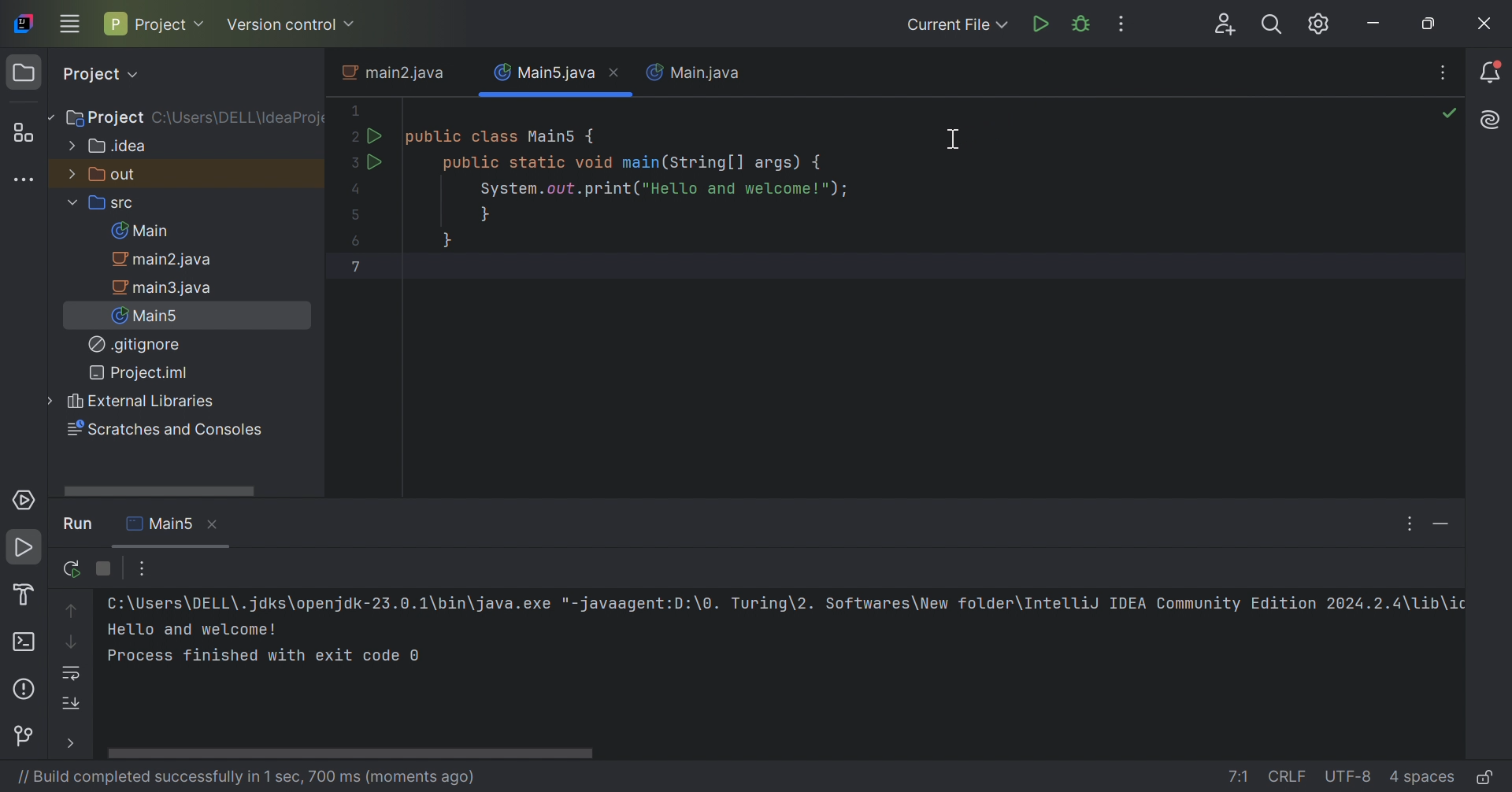 The height and width of the screenshot is (792, 1512). What do you see at coordinates (954, 138) in the screenshot?
I see `Cursor` at bounding box center [954, 138].